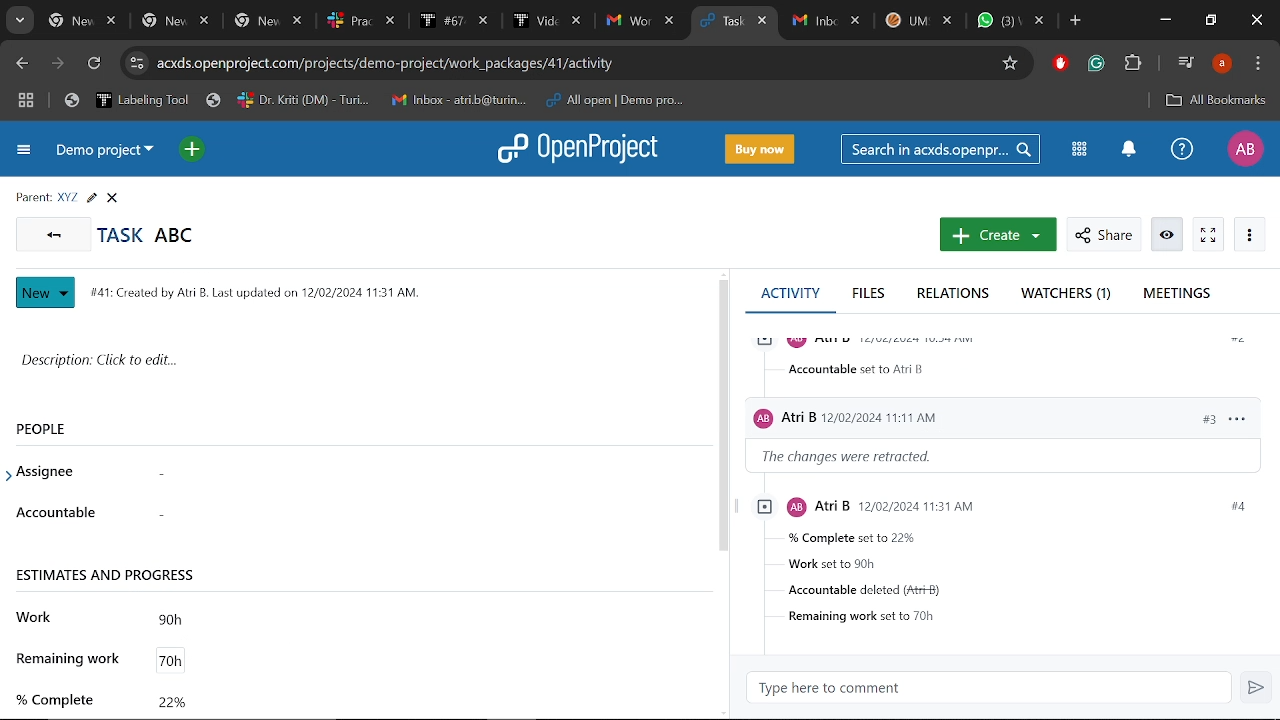 The height and width of the screenshot is (720, 1280). What do you see at coordinates (1079, 149) in the screenshot?
I see `Modules` at bounding box center [1079, 149].